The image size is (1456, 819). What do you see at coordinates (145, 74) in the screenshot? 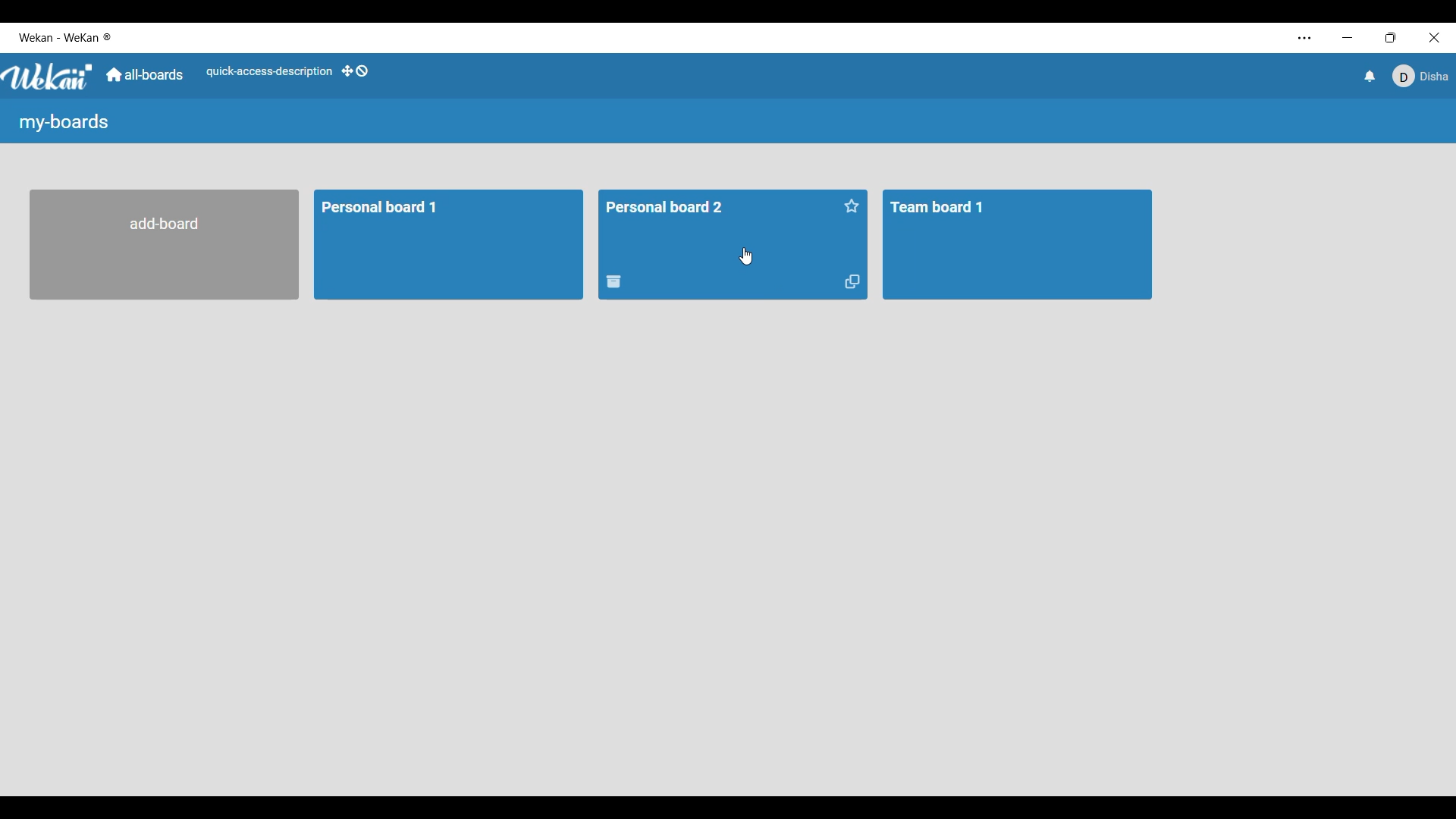
I see `Main dashboard` at bounding box center [145, 74].